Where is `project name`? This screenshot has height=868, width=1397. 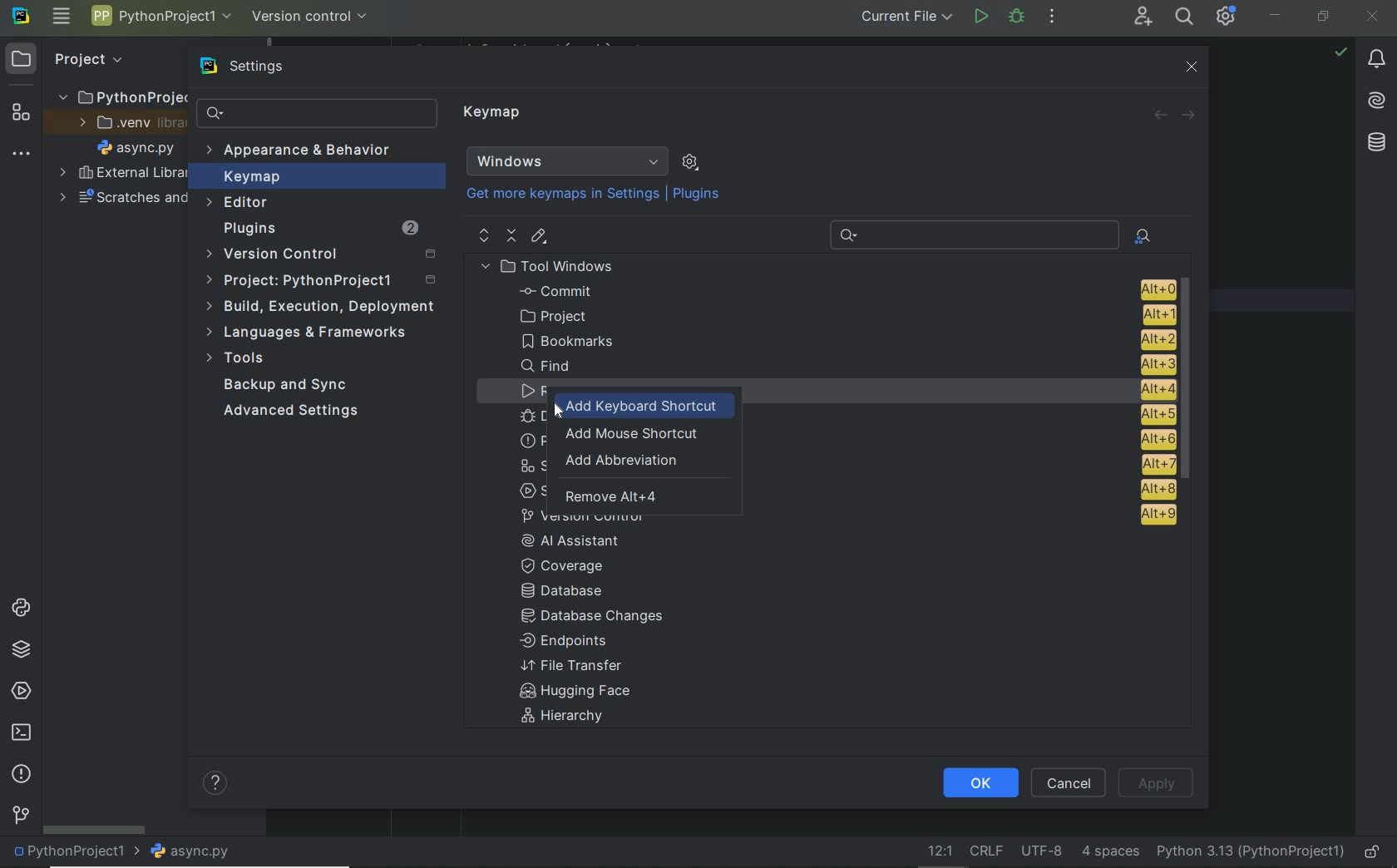
project name is located at coordinates (72, 853).